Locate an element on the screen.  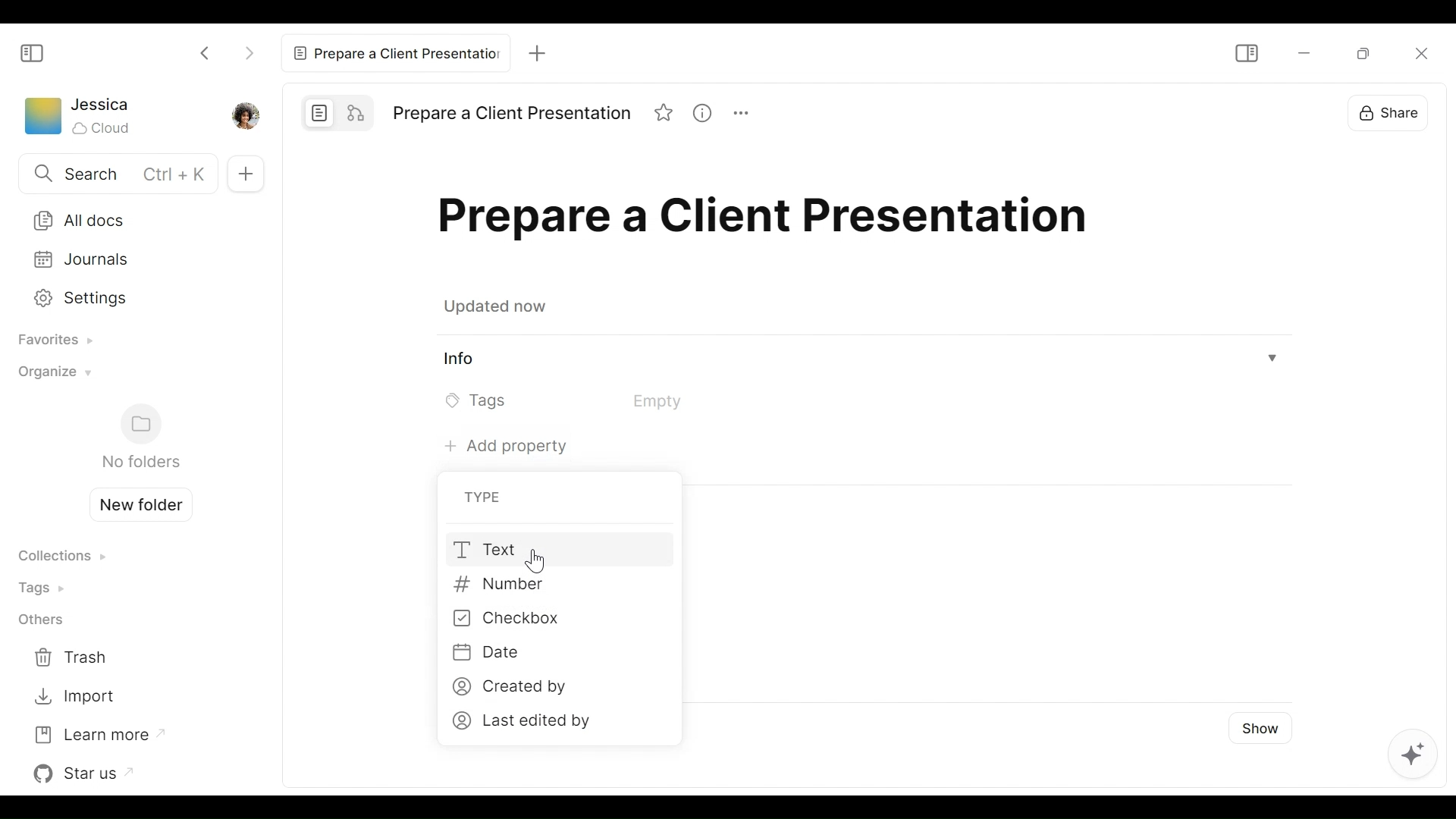
Number is located at coordinates (554, 586).